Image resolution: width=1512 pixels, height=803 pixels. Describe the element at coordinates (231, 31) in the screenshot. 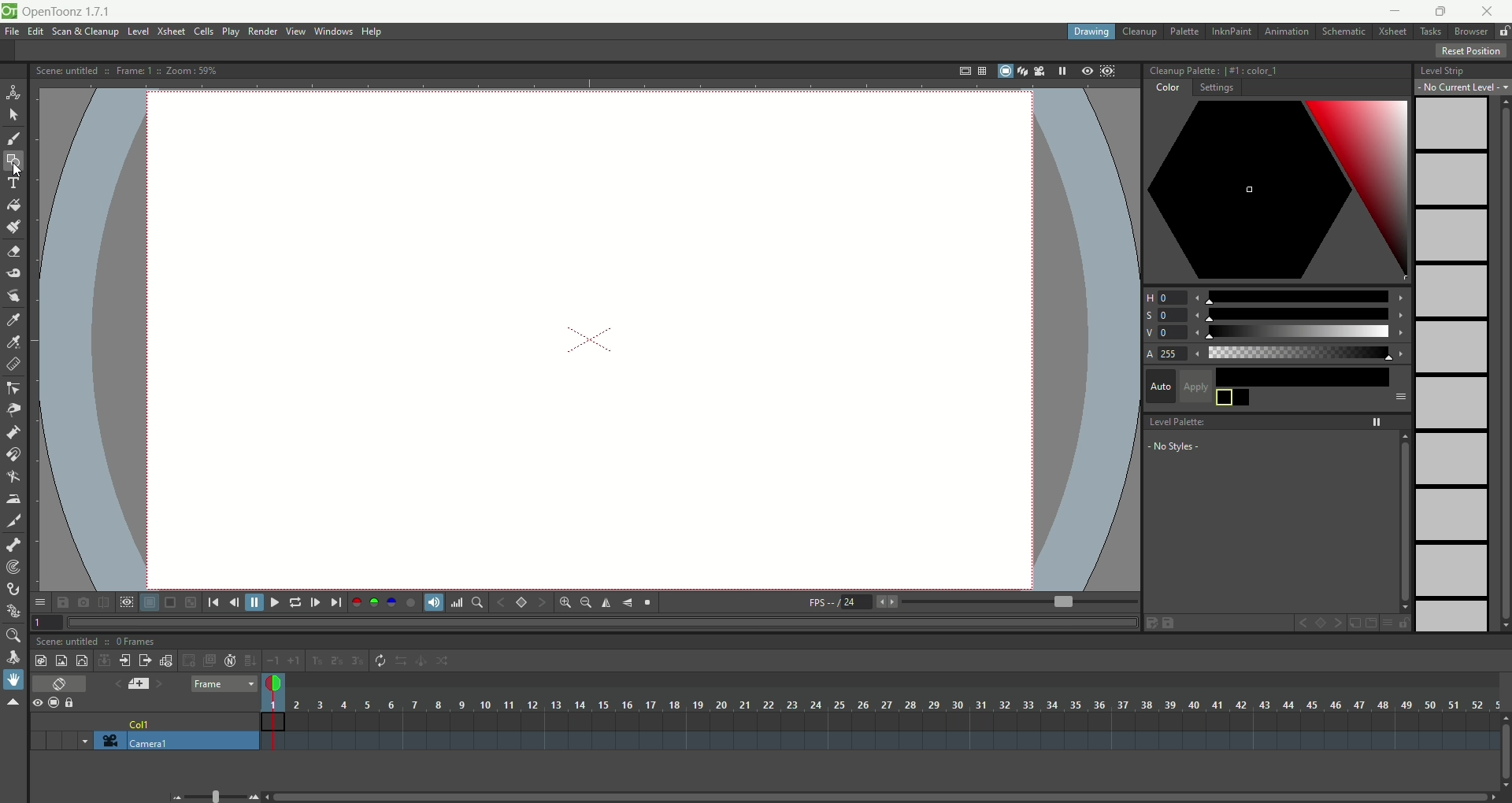

I see `play` at that location.